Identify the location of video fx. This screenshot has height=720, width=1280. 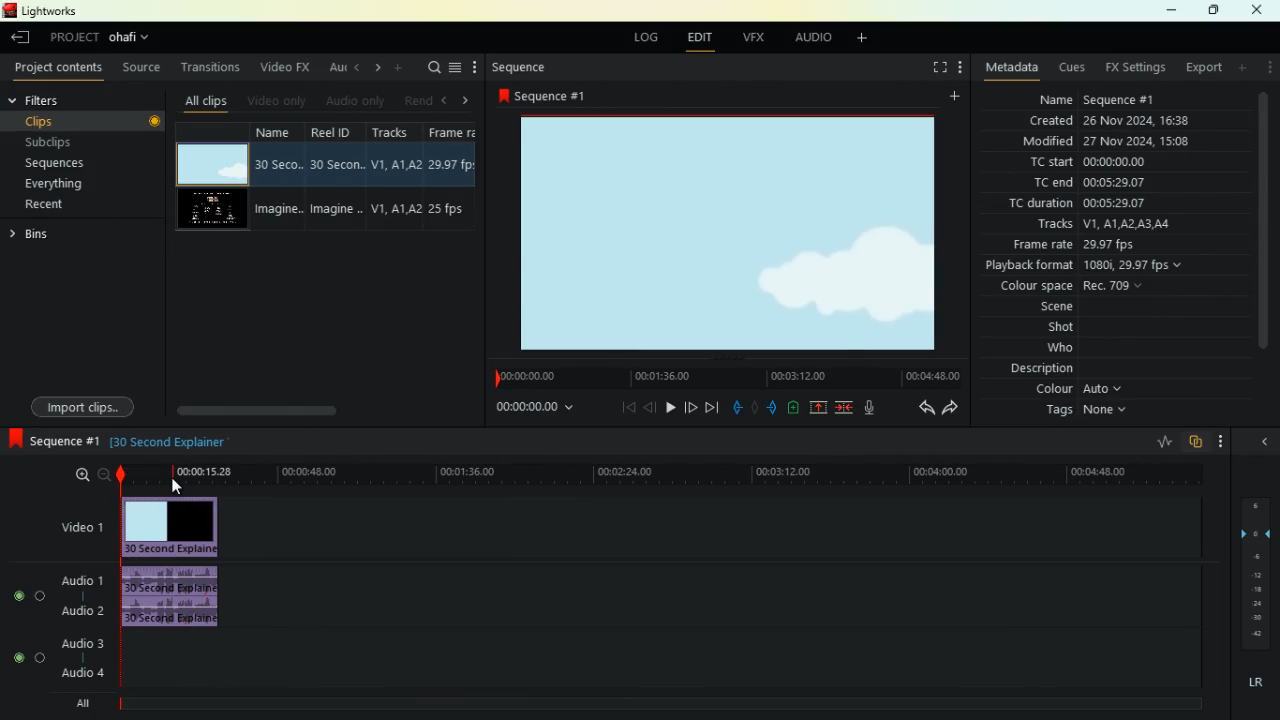
(286, 67).